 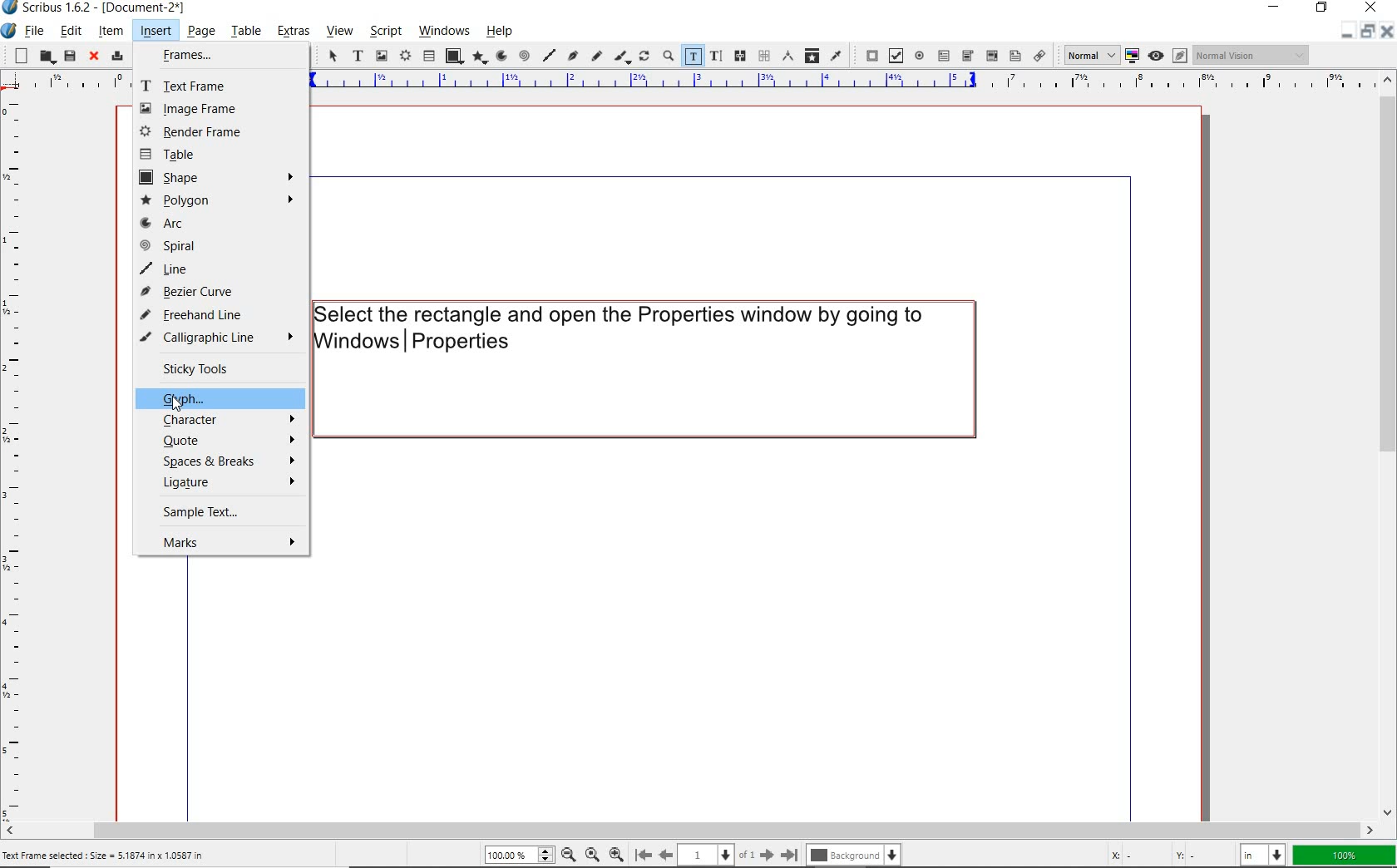 What do you see at coordinates (454, 55) in the screenshot?
I see `shape` at bounding box center [454, 55].